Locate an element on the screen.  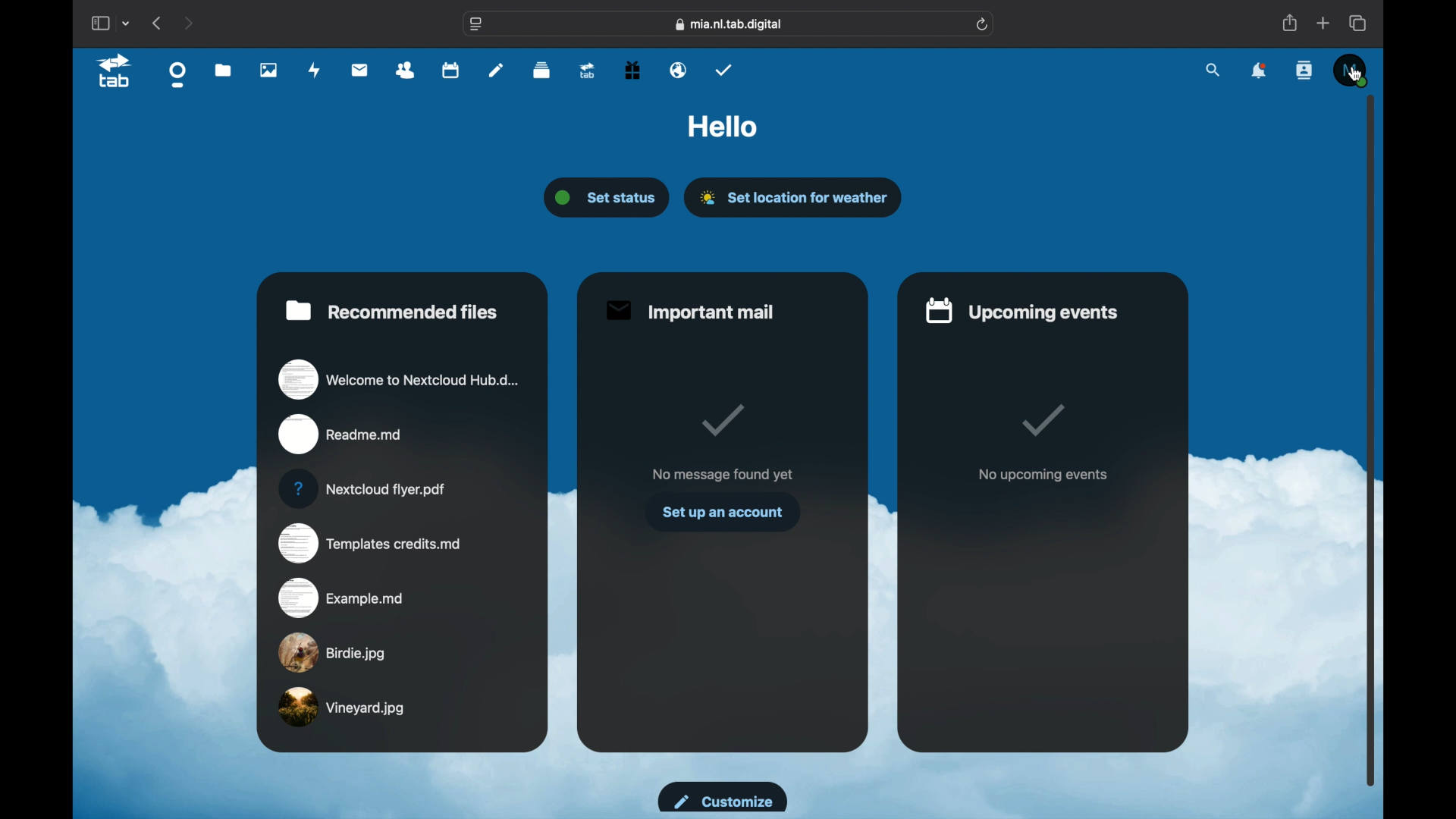
example is located at coordinates (342, 597).